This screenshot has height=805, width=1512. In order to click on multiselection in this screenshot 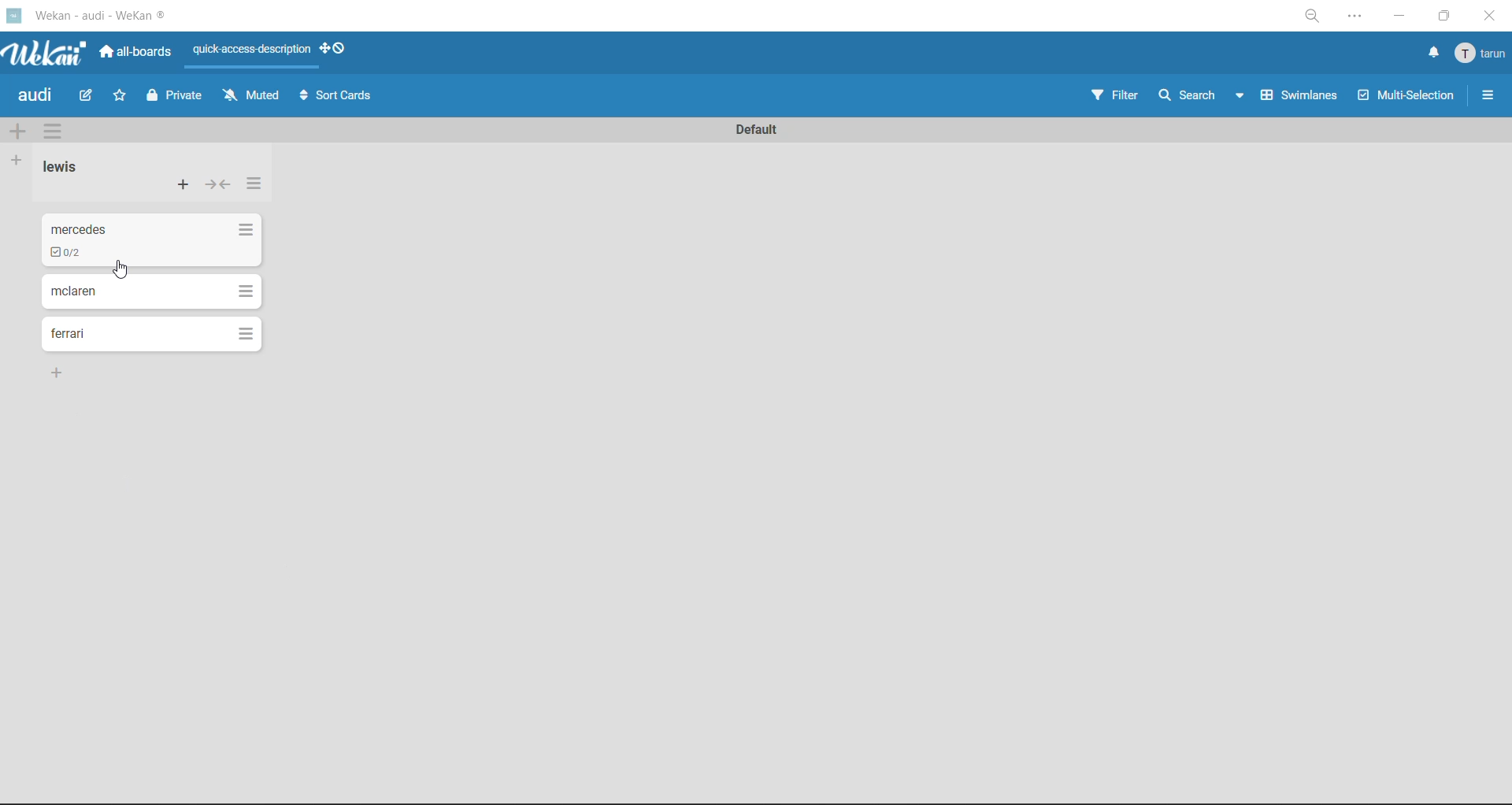, I will do `click(1406, 98)`.